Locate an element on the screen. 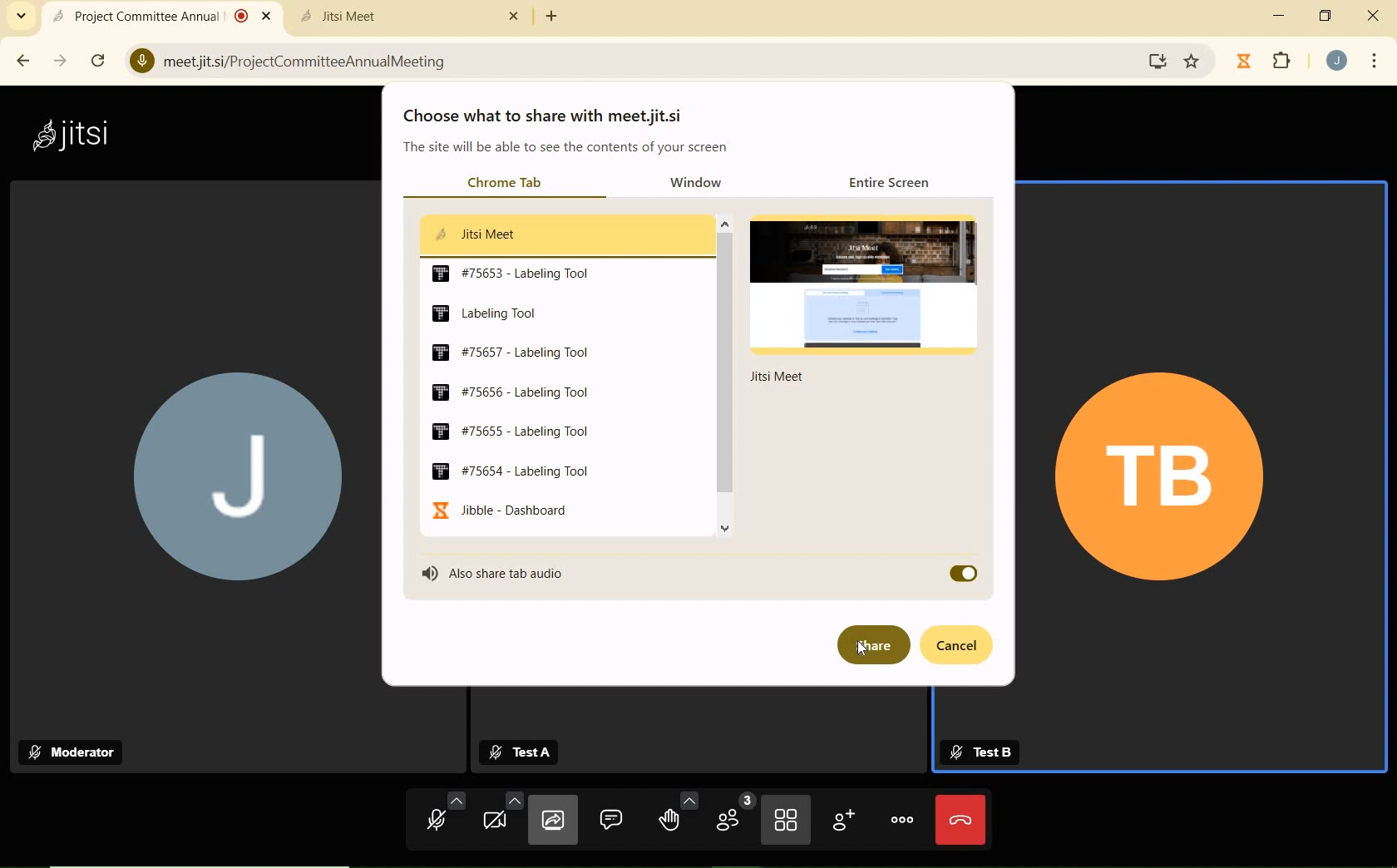 Image resolution: width=1397 pixels, height=868 pixels. | #75656 - Labeling Tool is located at coordinates (521, 390).